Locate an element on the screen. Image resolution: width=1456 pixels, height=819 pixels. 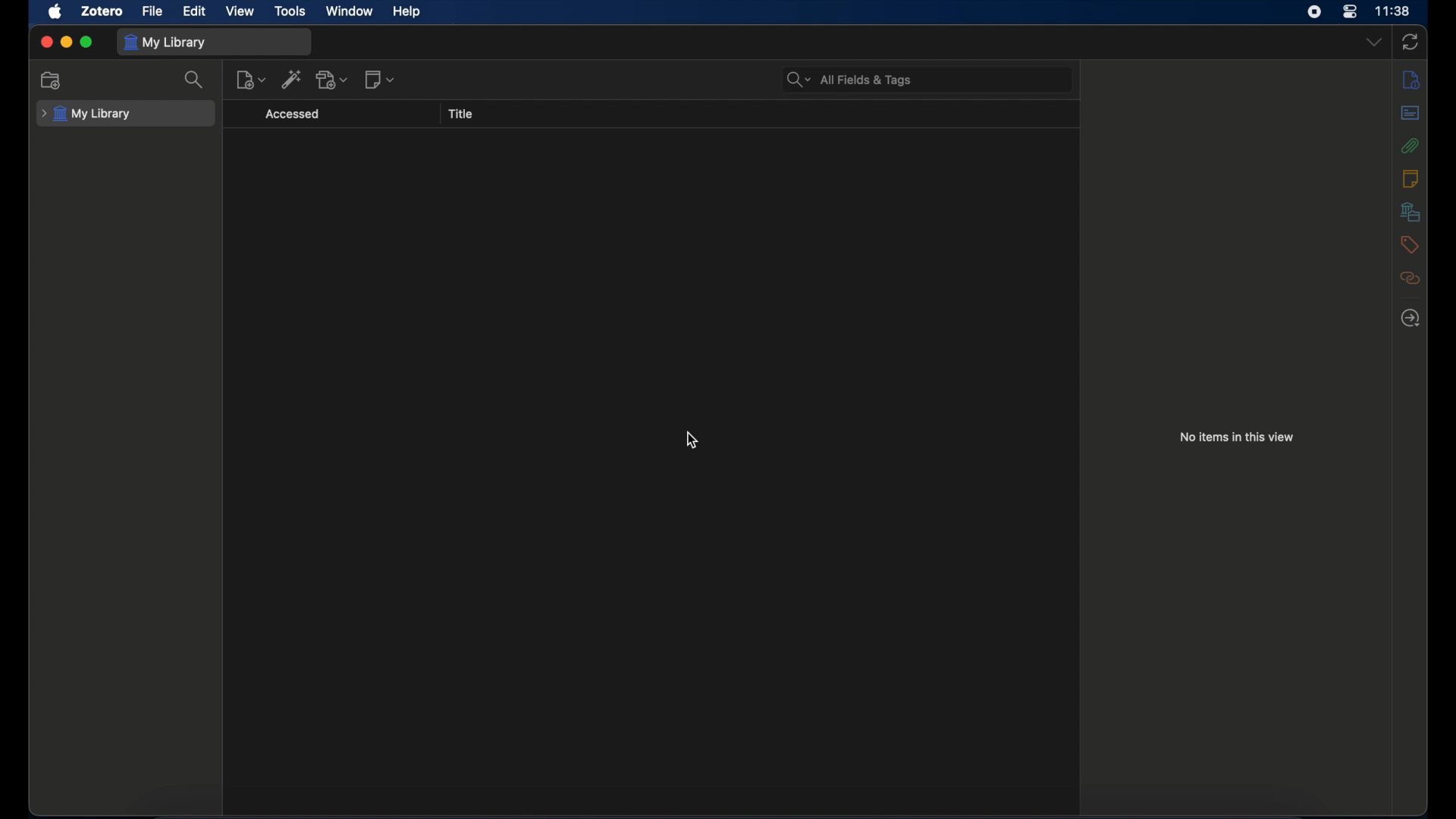
help is located at coordinates (408, 12).